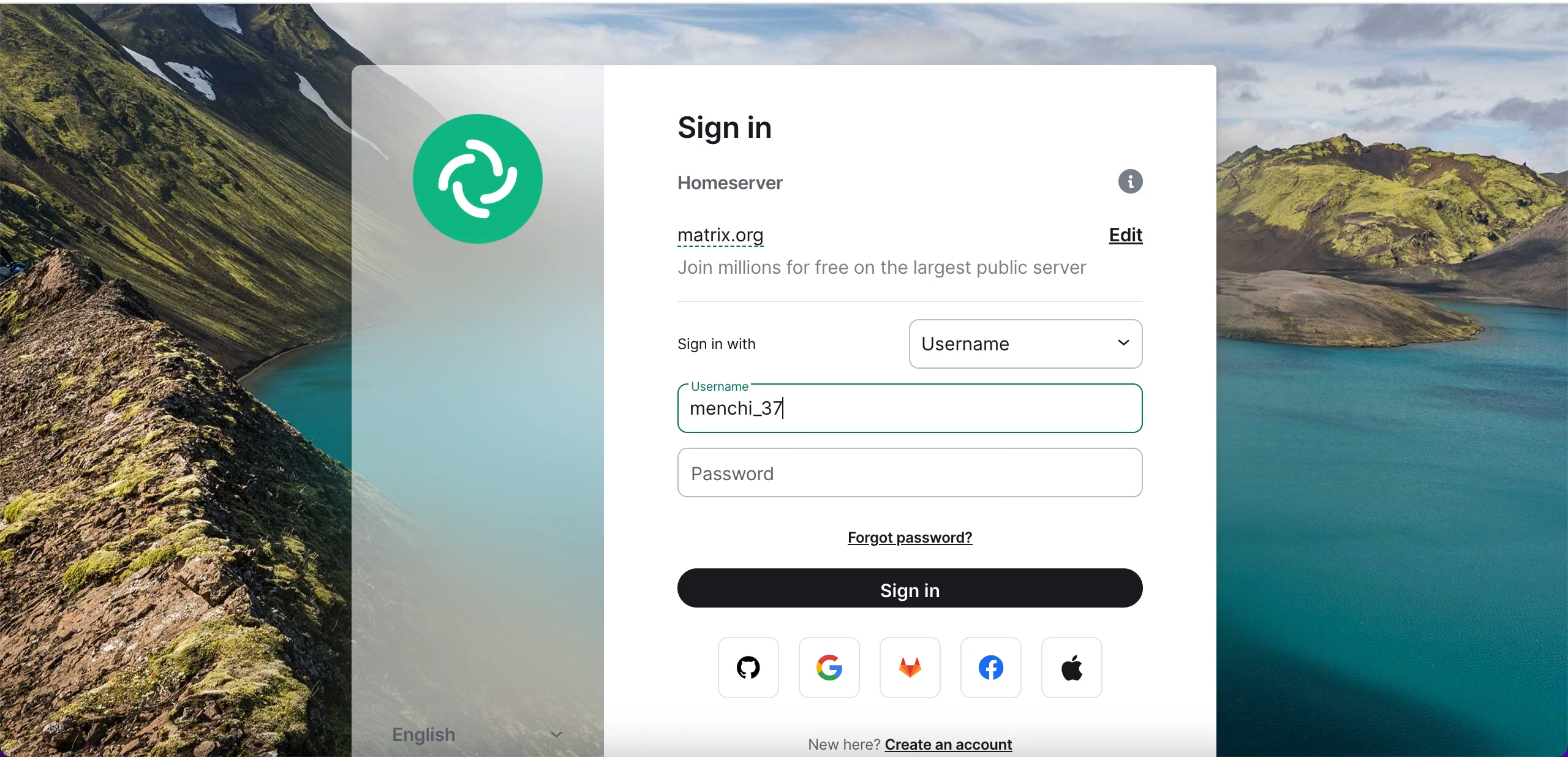 This screenshot has height=757, width=1568. Describe the element at coordinates (836, 743) in the screenshot. I see `new here?` at that location.